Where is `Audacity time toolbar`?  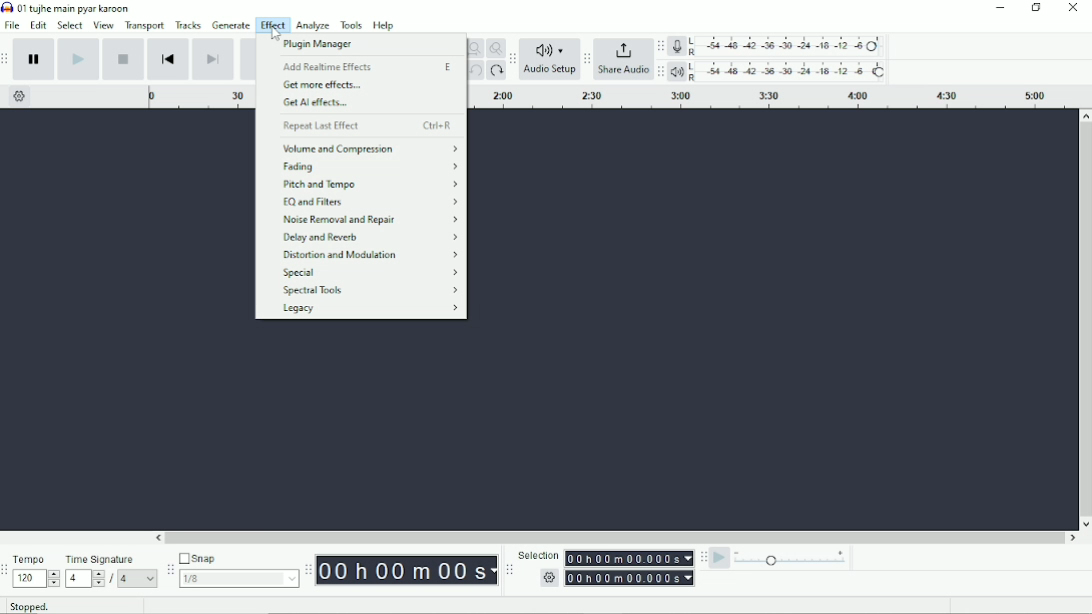
Audacity time toolbar is located at coordinates (307, 569).